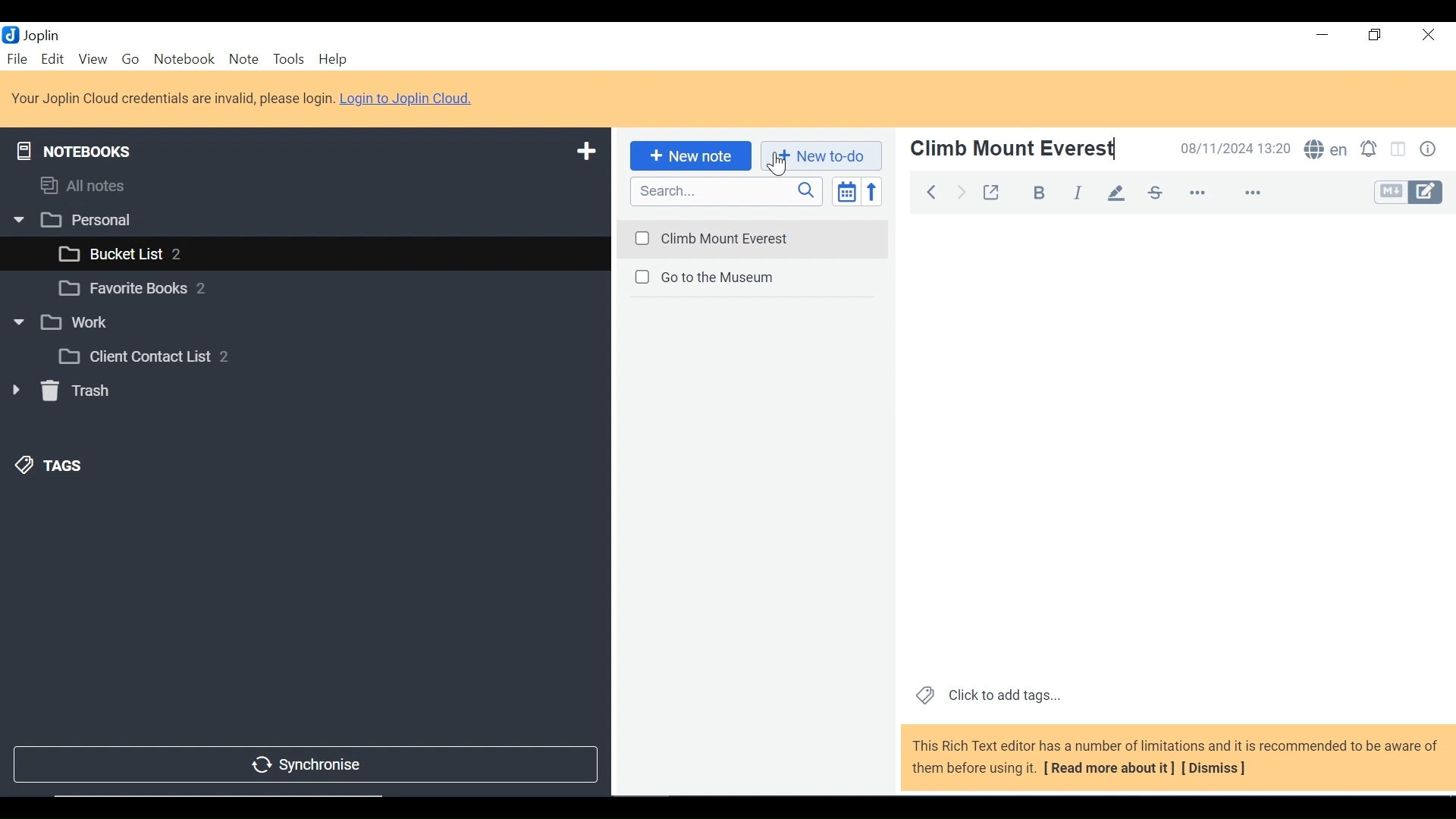  What do you see at coordinates (962, 190) in the screenshot?
I see `Forward` at bounding box center [962, 190].